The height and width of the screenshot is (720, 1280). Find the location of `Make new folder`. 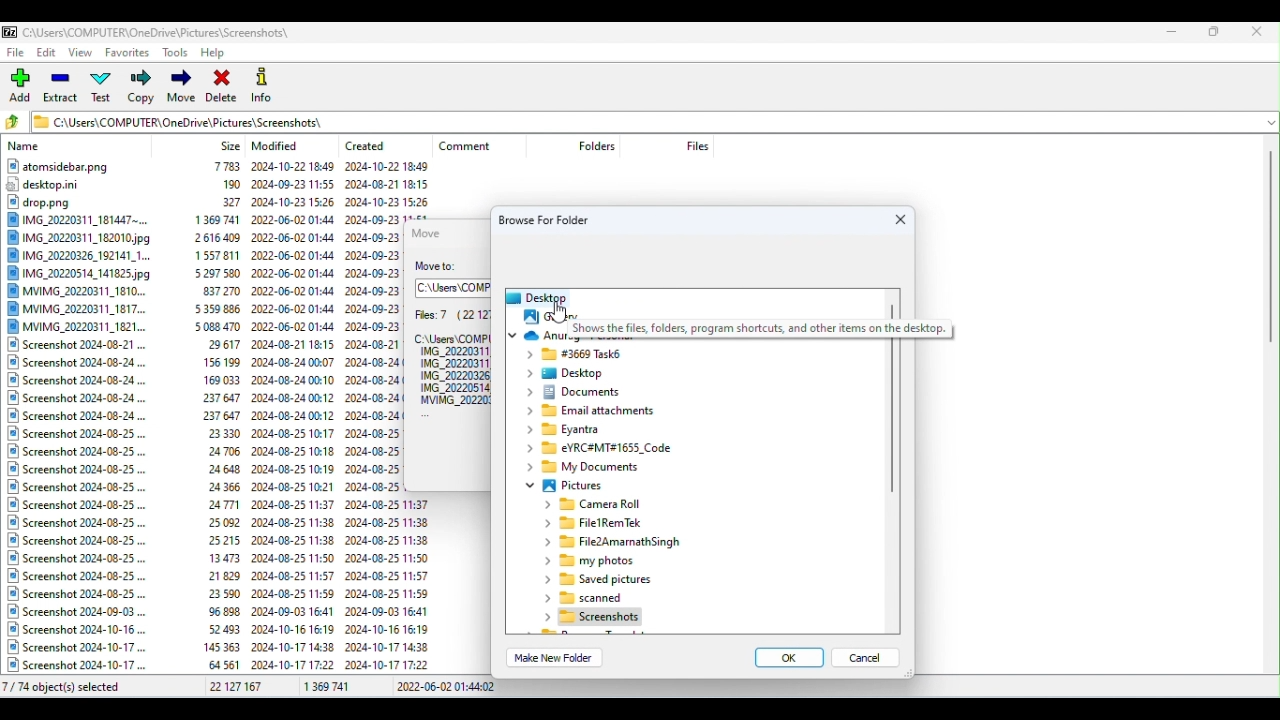

Make new folder is located at coordinates (558, 658).